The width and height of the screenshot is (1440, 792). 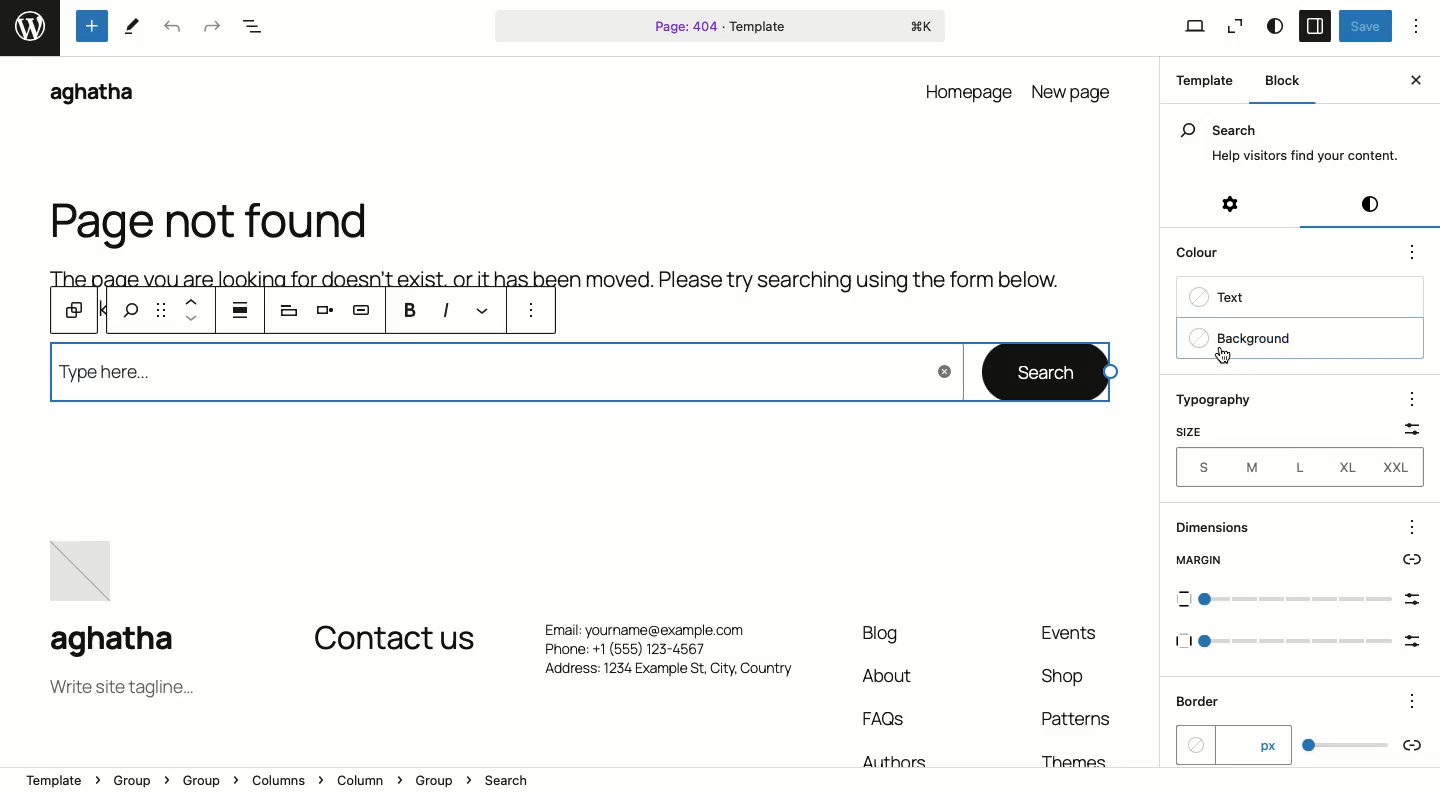 I want to click on Typography, so click(x=1214, y=401).